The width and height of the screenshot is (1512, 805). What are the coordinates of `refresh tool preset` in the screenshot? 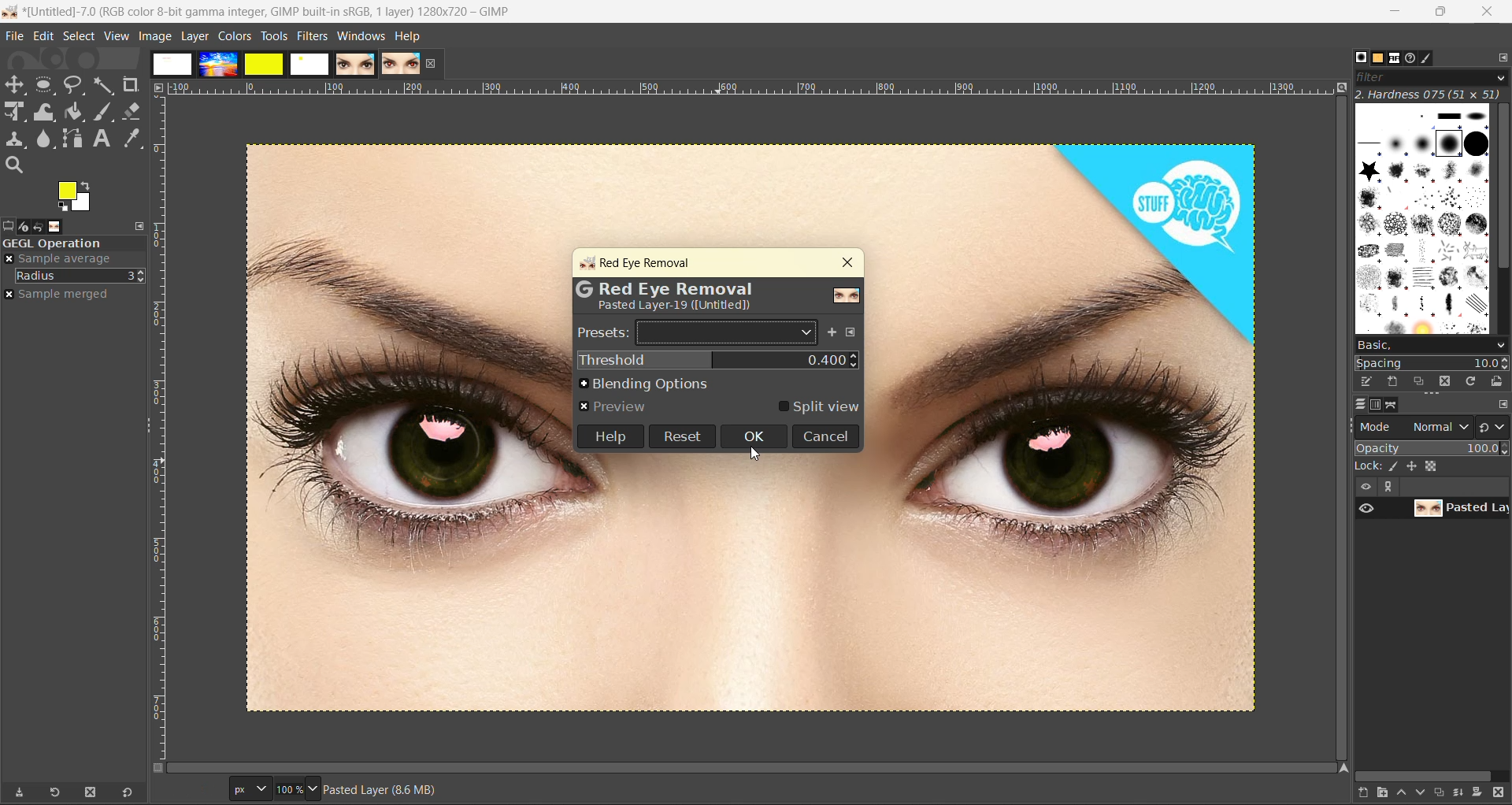 It's located at (53, 793).